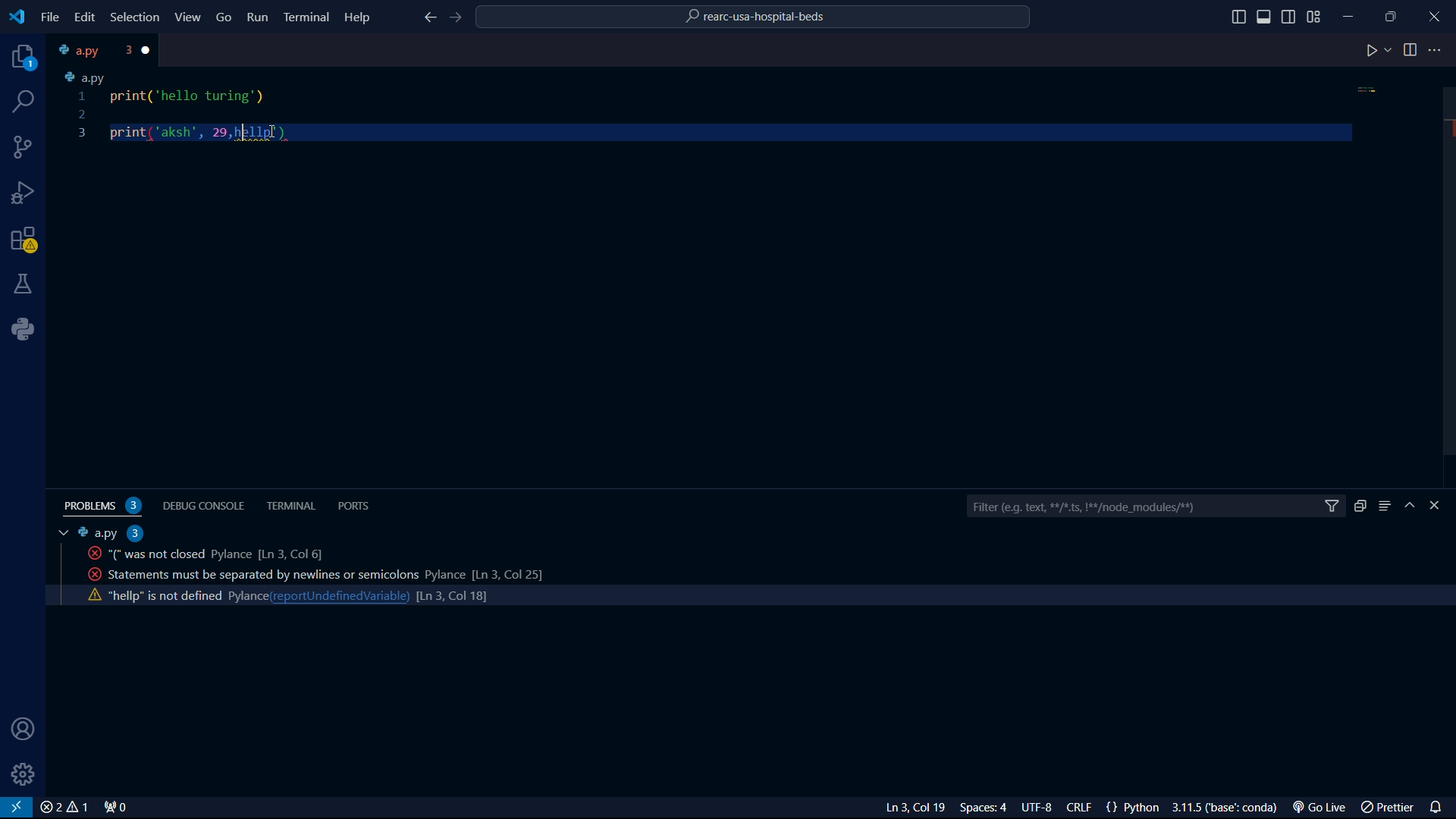 The height and width of the screenshot is (819, 1456). I want to click on connect 0, so click(118, 808).